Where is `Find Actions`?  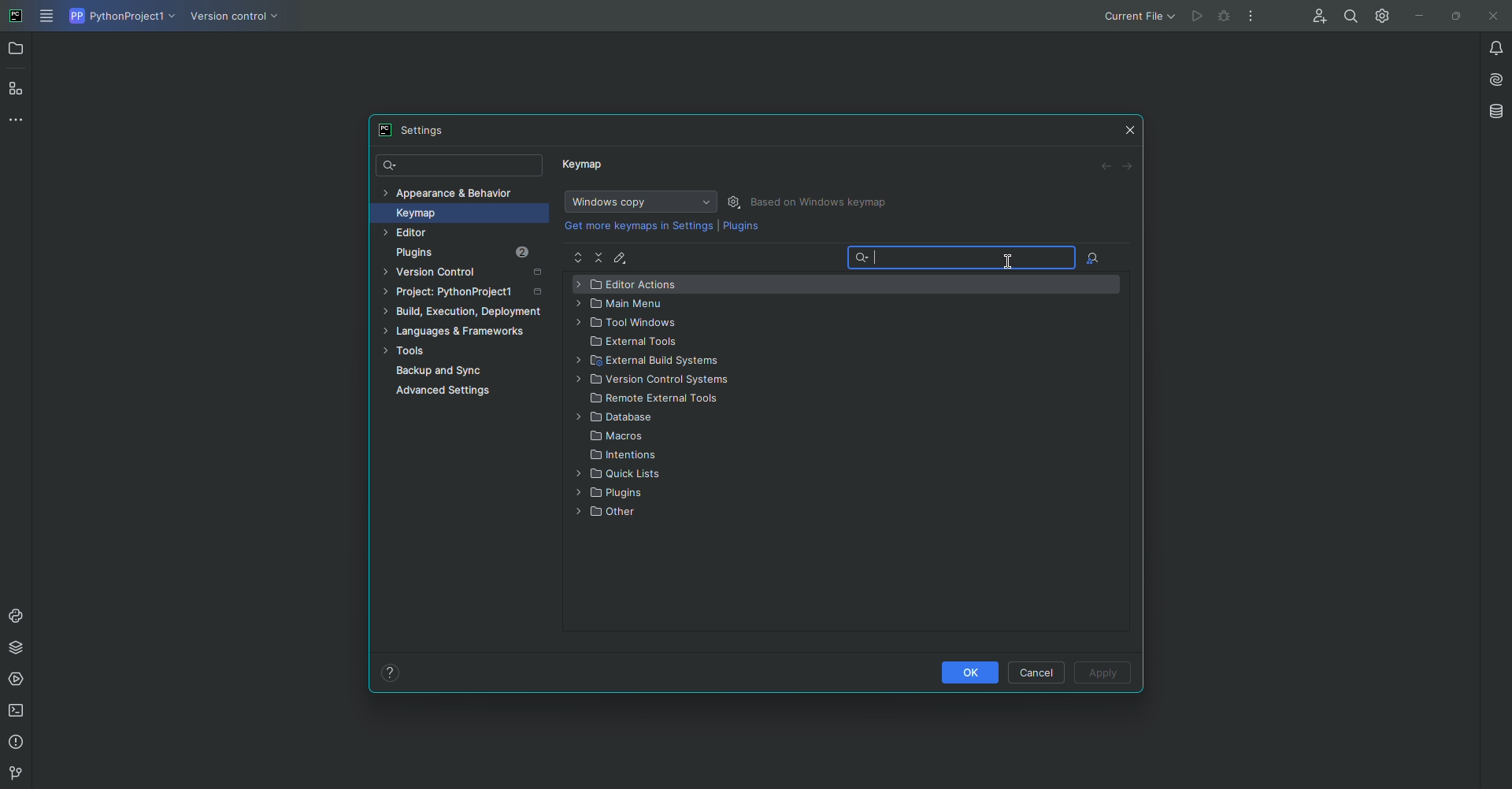 Find Actions is located at coordinates (1093, 259).